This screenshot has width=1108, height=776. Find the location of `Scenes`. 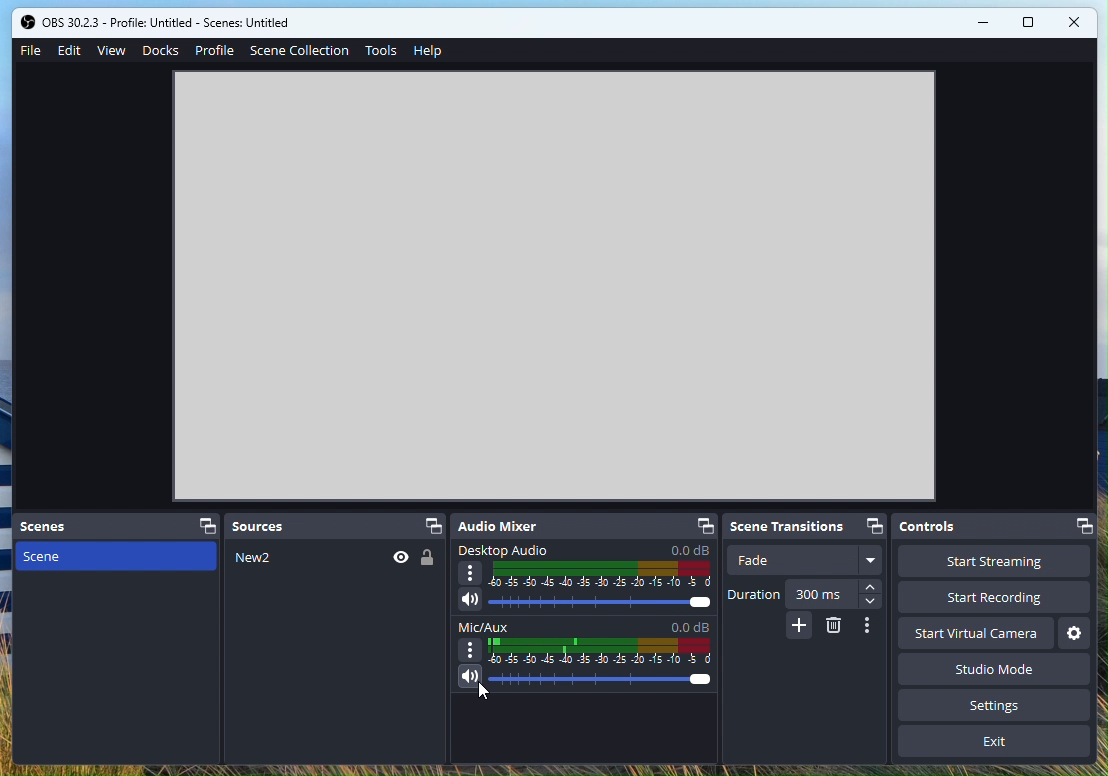

Scenes is located at coordinates (118, 528).